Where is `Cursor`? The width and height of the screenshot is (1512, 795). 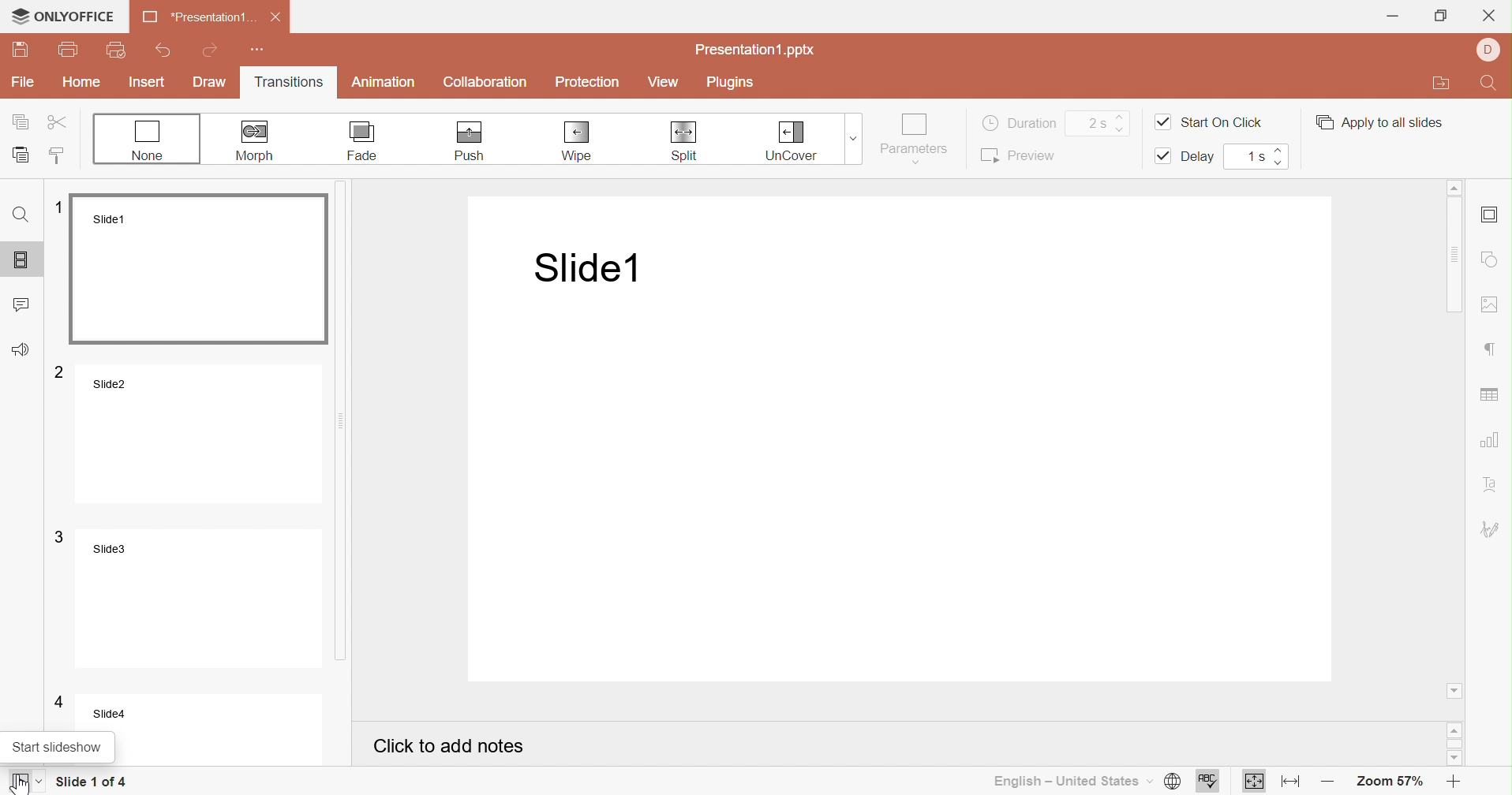 Cursor is located at coordinates (29, 782).